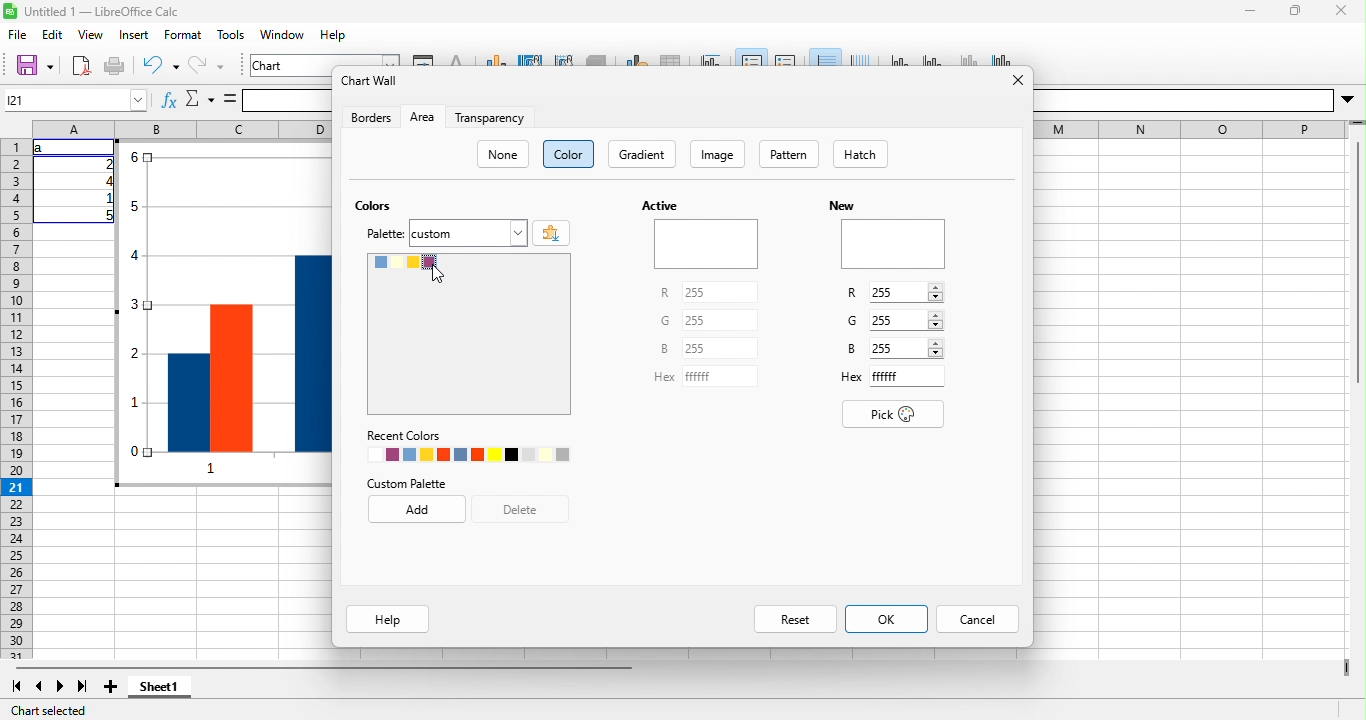  What do you see at coordinates (417, 509) in the screenshot?
I see `add` at bounding box center [417, 509].